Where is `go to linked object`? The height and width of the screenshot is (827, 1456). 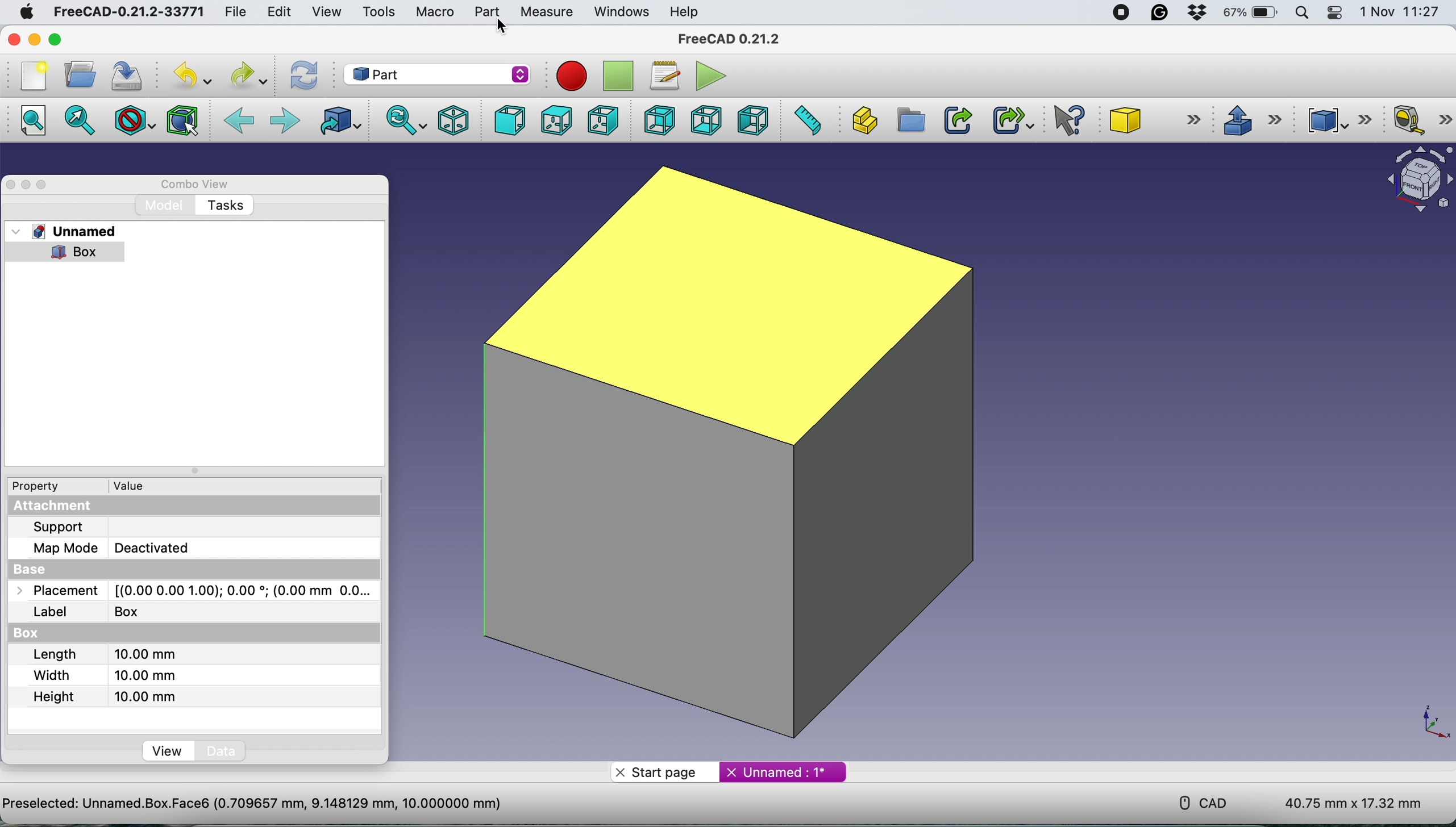 go to linked object is located at coordinates (335, 120).